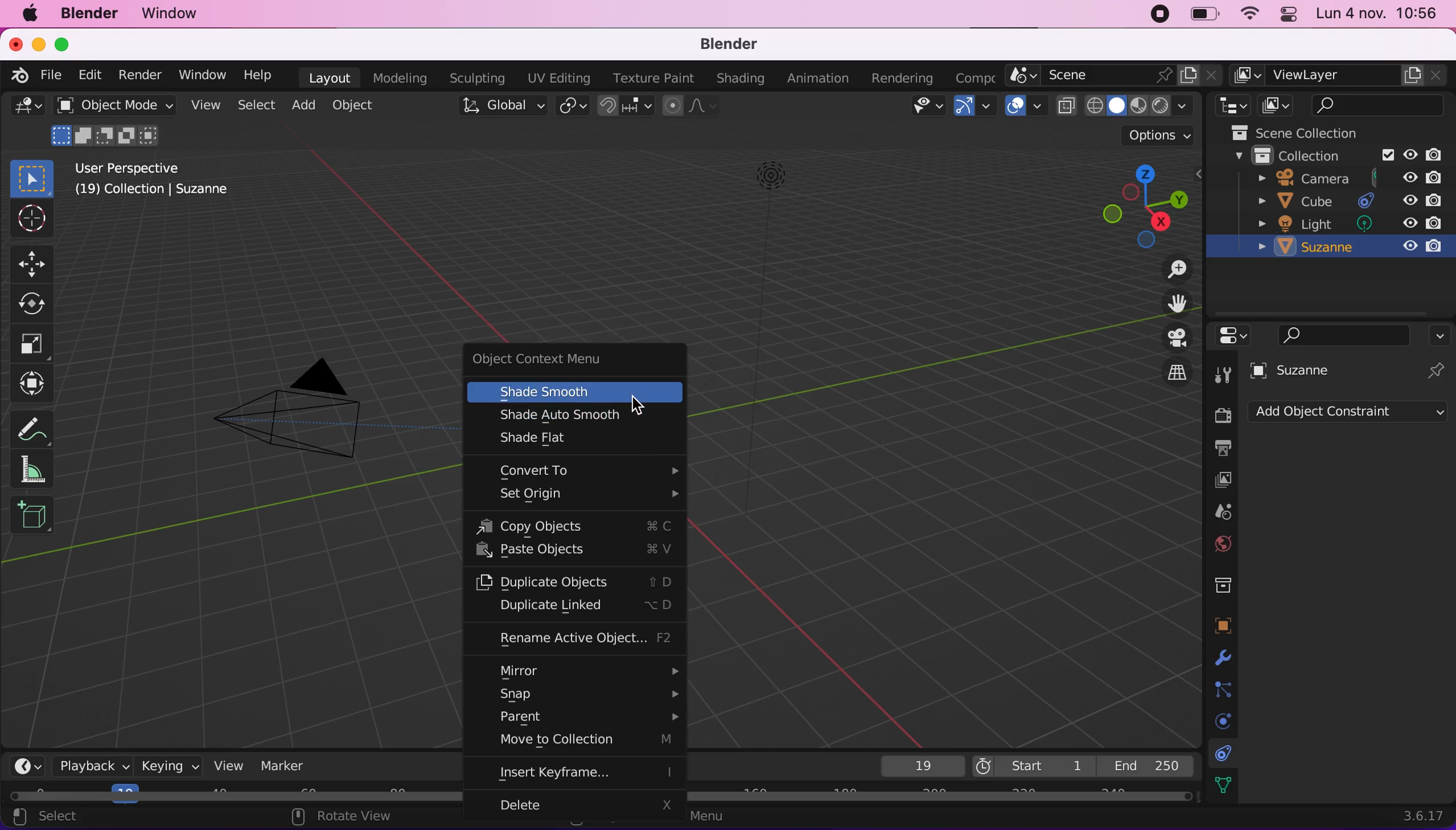 The width and height of the screenshot is (1456, 830). What do you see at coordinates (1221, 687) in the screenshot?
I see `particles` at bounding box center [1221, 687].